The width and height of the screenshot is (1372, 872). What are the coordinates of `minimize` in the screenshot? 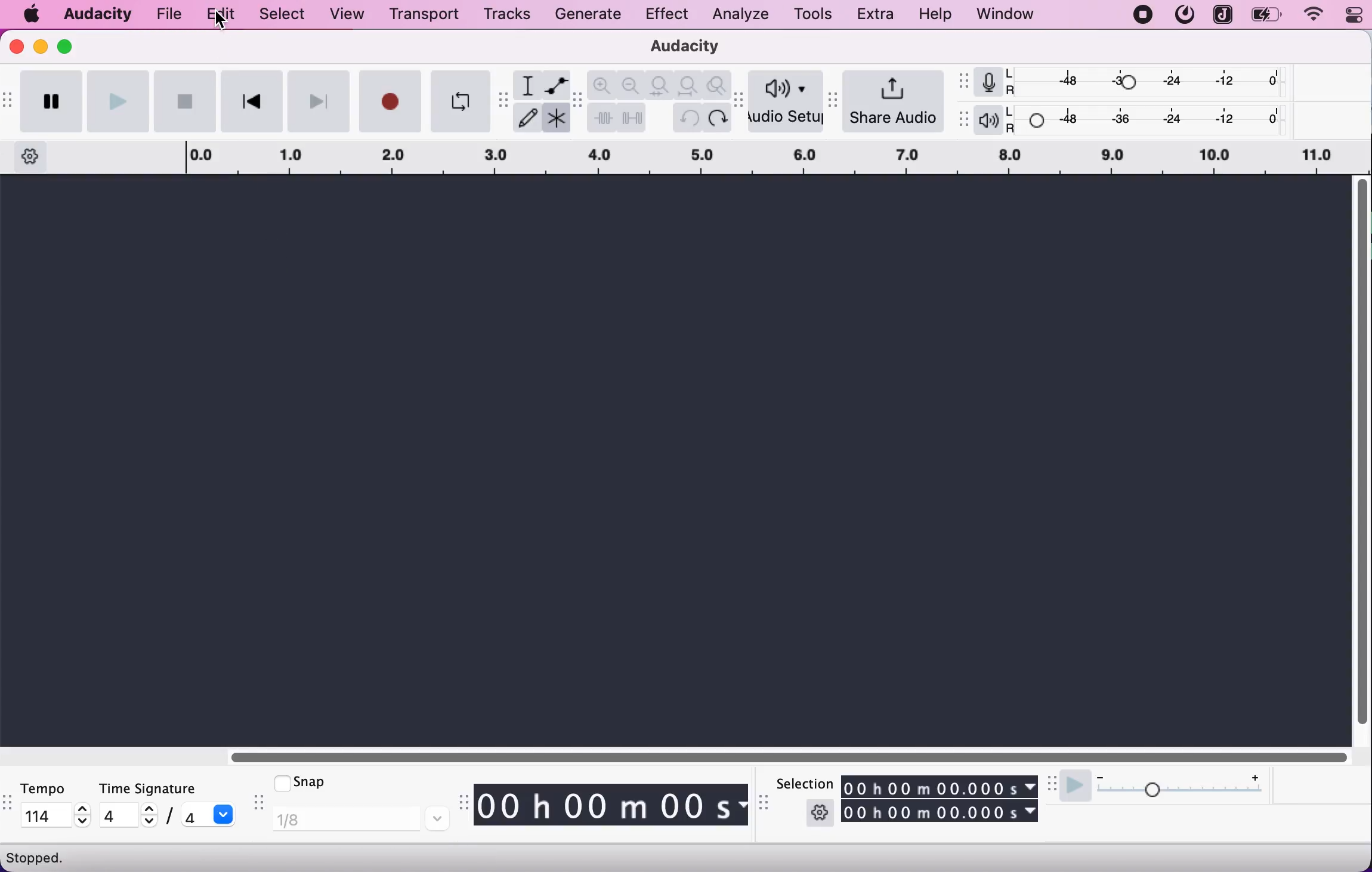 It's located at (41, 46).